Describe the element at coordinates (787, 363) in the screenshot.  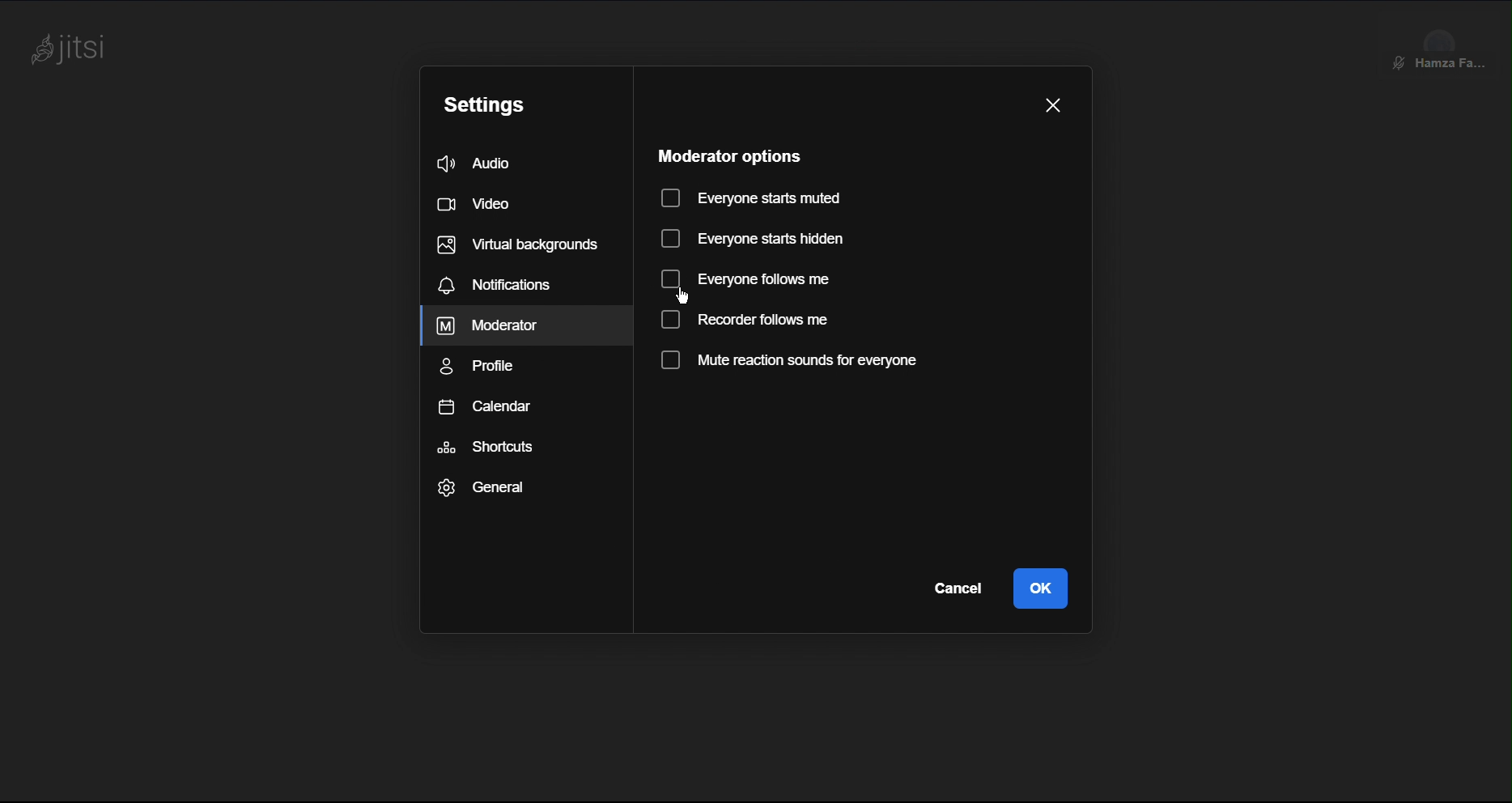
I see `Mute reaction sounds for everyone` at that location.